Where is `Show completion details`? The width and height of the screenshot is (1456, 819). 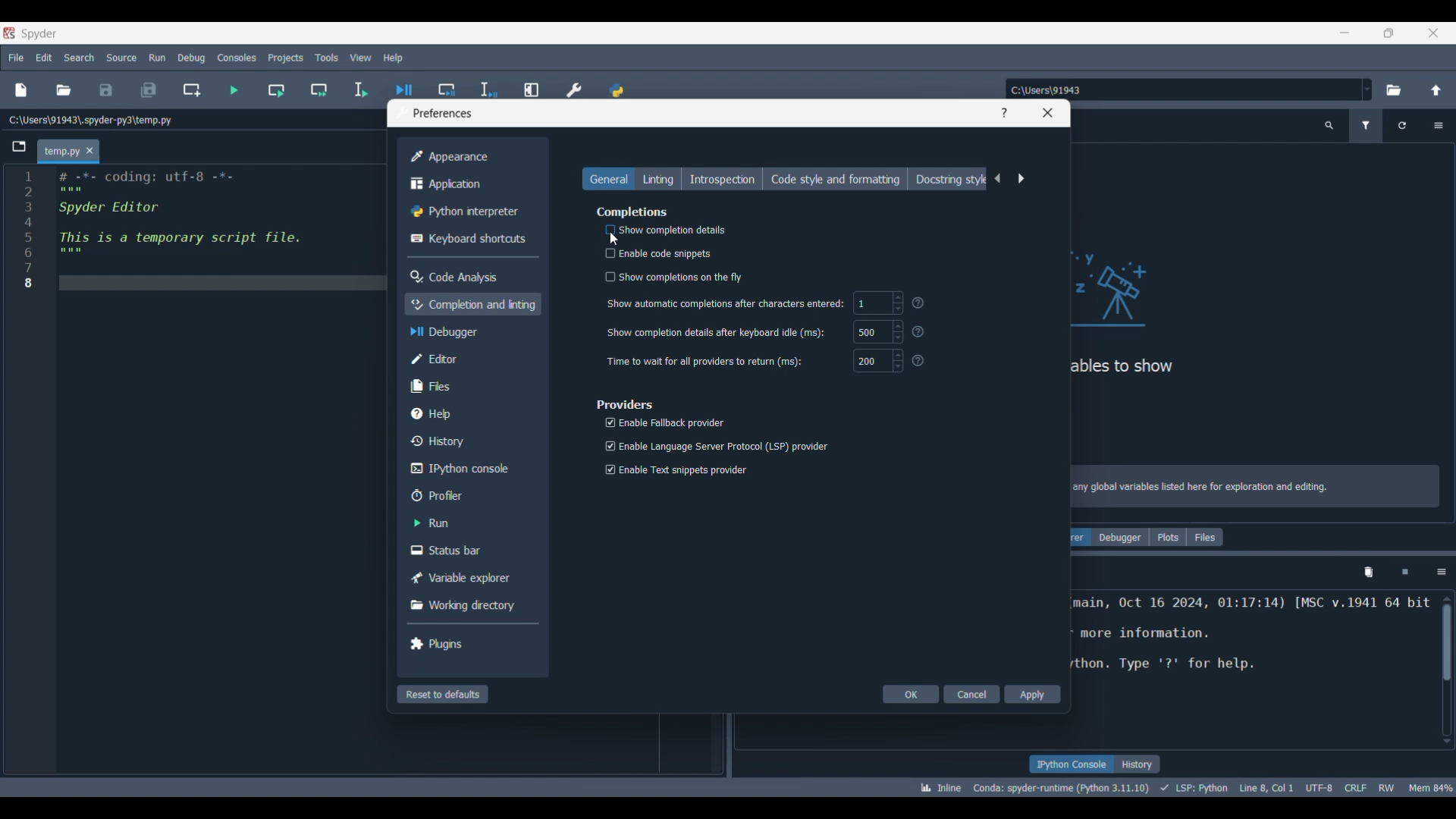
Show completion details is located at coordinates (657, 231).